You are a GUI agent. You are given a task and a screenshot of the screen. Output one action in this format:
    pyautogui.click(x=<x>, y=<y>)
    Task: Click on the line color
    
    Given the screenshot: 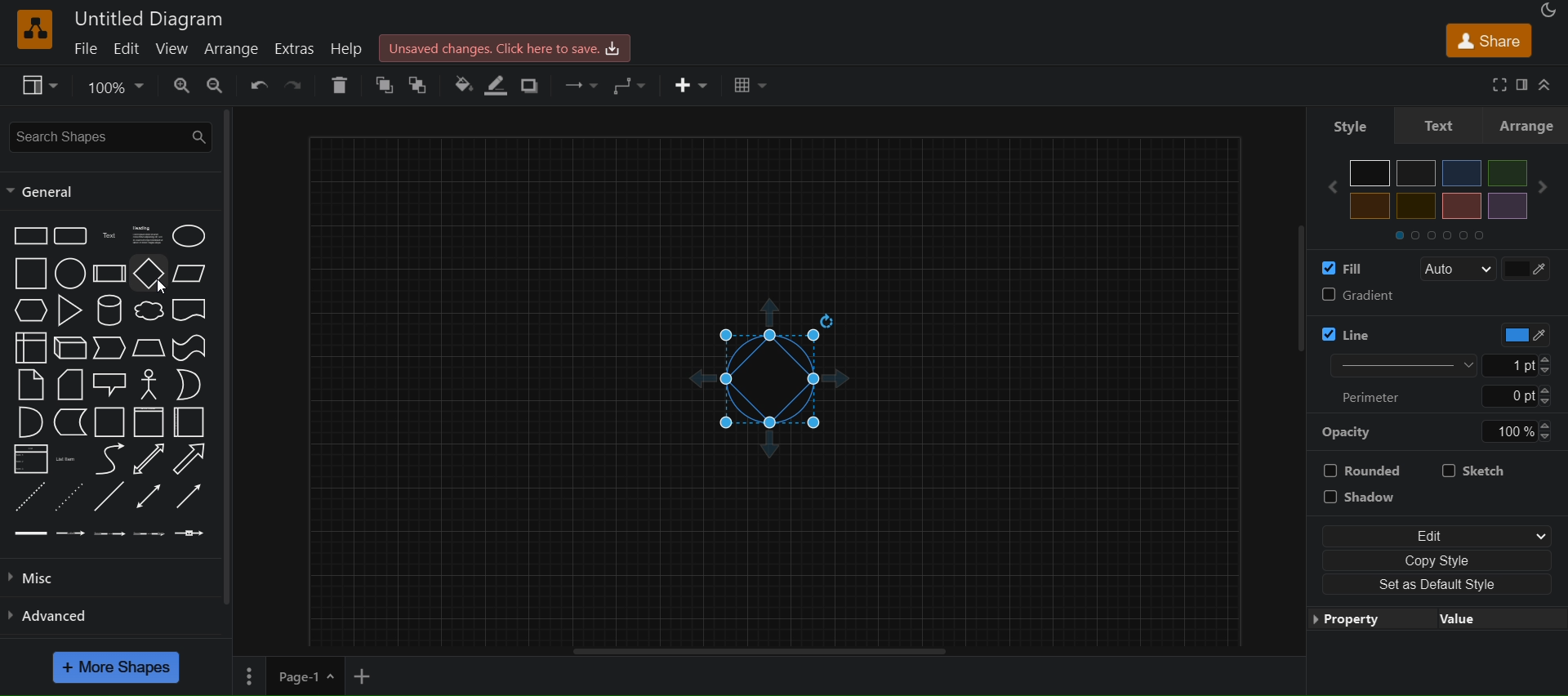 What is the action you would take?
    pyautogui.click(x=1383, y=330)
    